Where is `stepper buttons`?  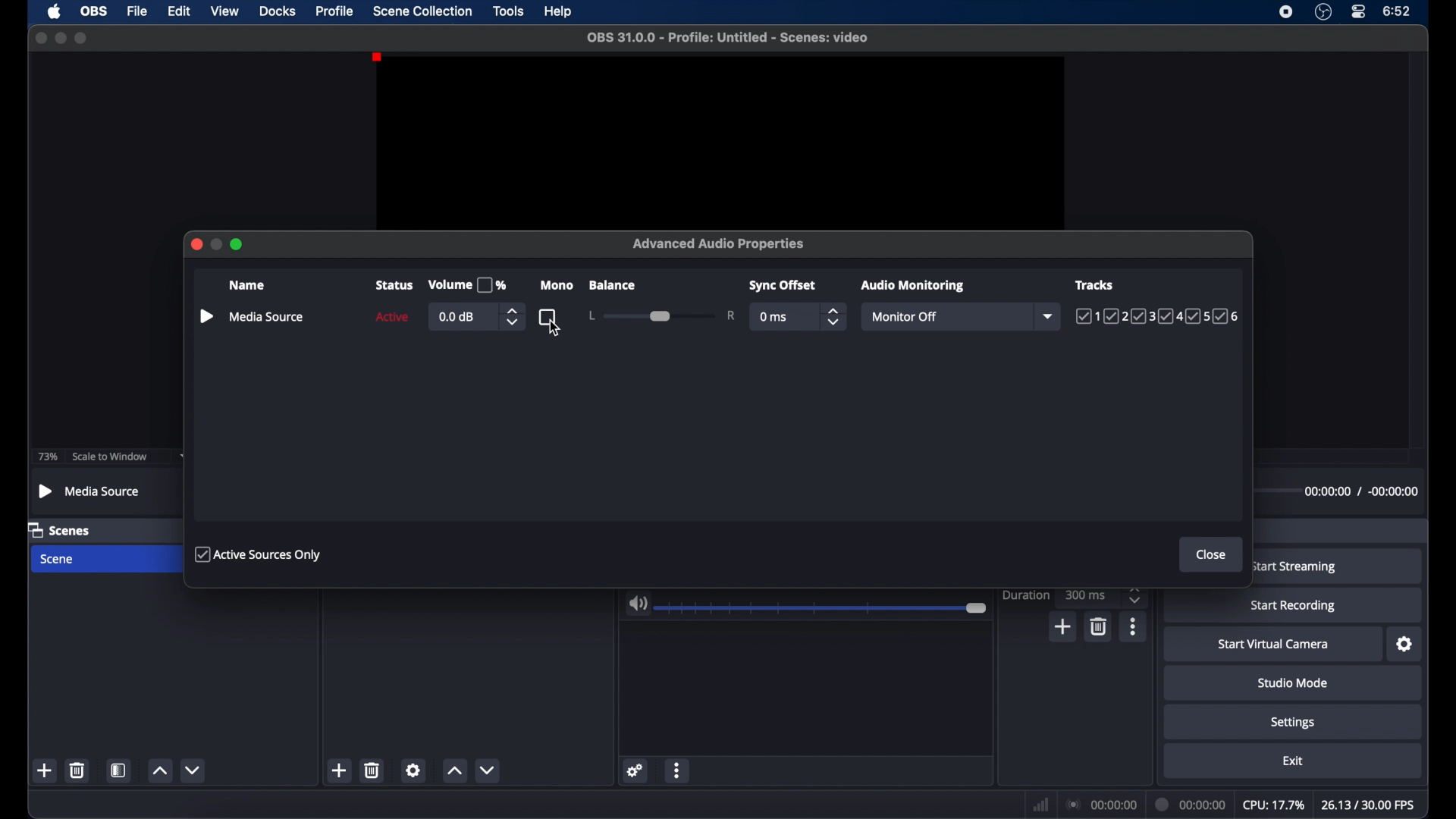 stepper buttons is located at coordinates (834, 317).